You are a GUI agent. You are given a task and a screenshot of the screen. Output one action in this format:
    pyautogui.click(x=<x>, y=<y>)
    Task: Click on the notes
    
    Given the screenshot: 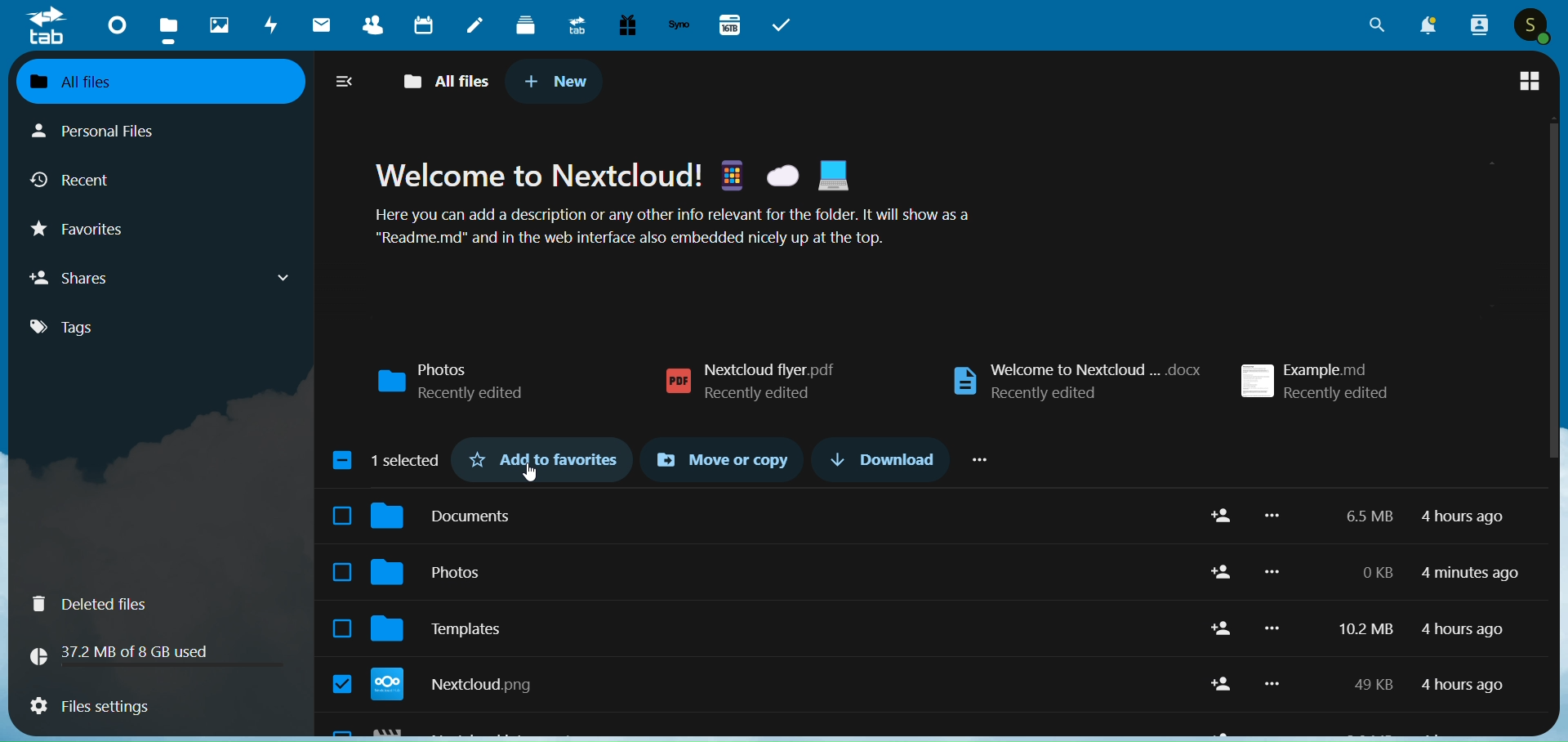 What is the action you would take?
    pyautogui.click(x=476, y=25)
    